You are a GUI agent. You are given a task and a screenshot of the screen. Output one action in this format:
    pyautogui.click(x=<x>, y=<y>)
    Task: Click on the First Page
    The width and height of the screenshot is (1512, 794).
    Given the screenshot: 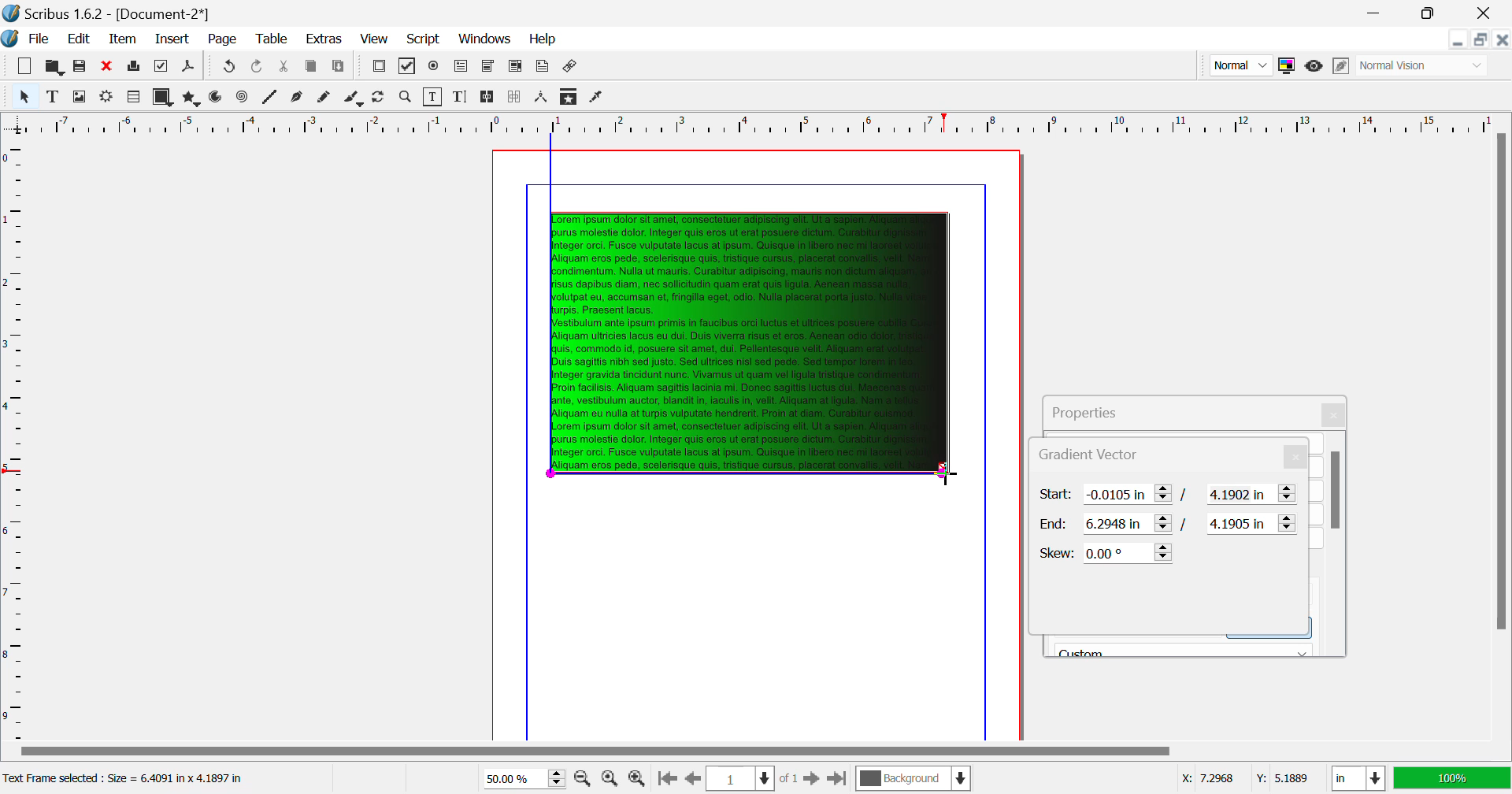 What is the action you would take?
    pyautogui.click(x=665, y=780)
    